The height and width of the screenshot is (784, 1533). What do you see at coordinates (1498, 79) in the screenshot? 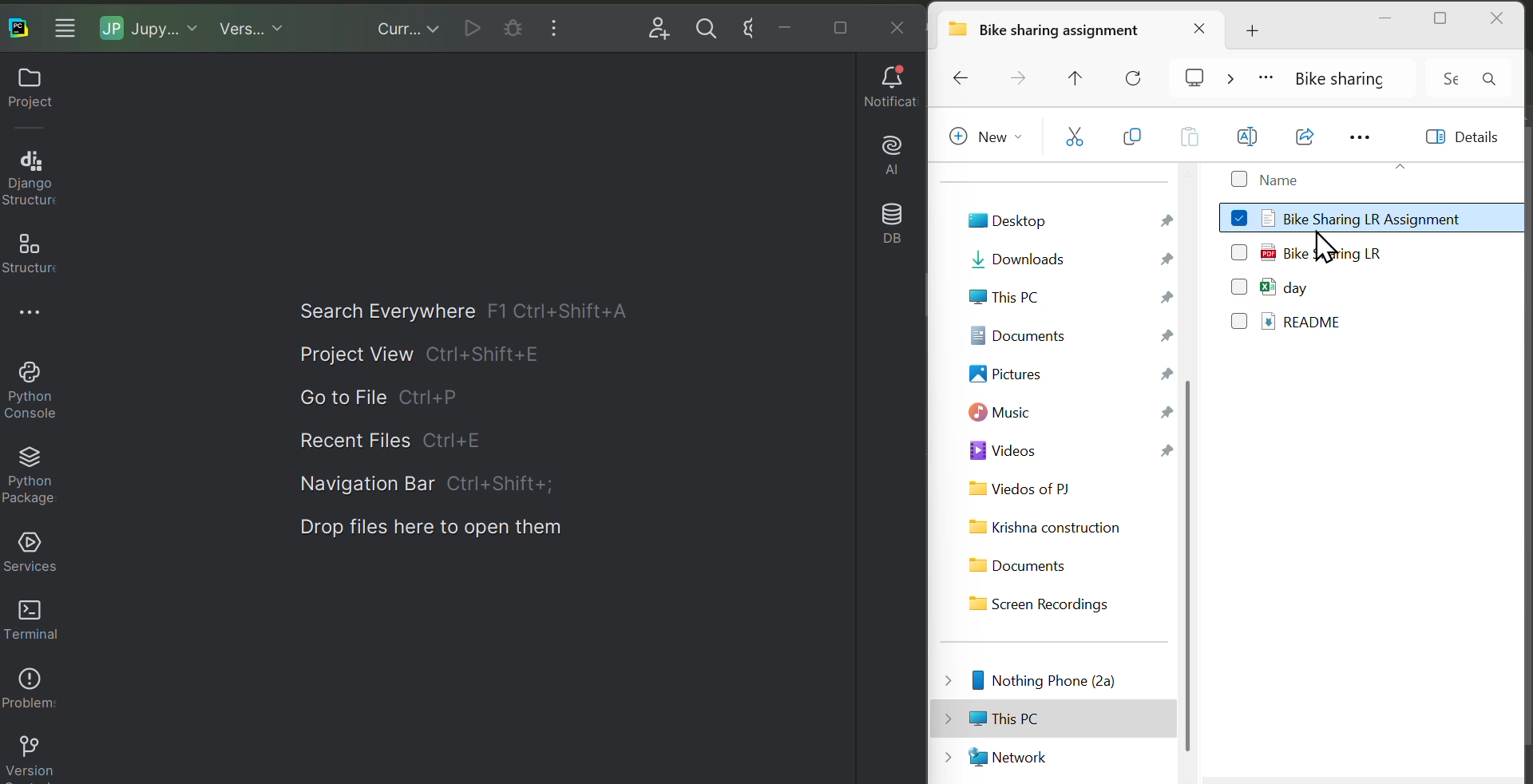
I see `search` at bounding box center [1498, 79].